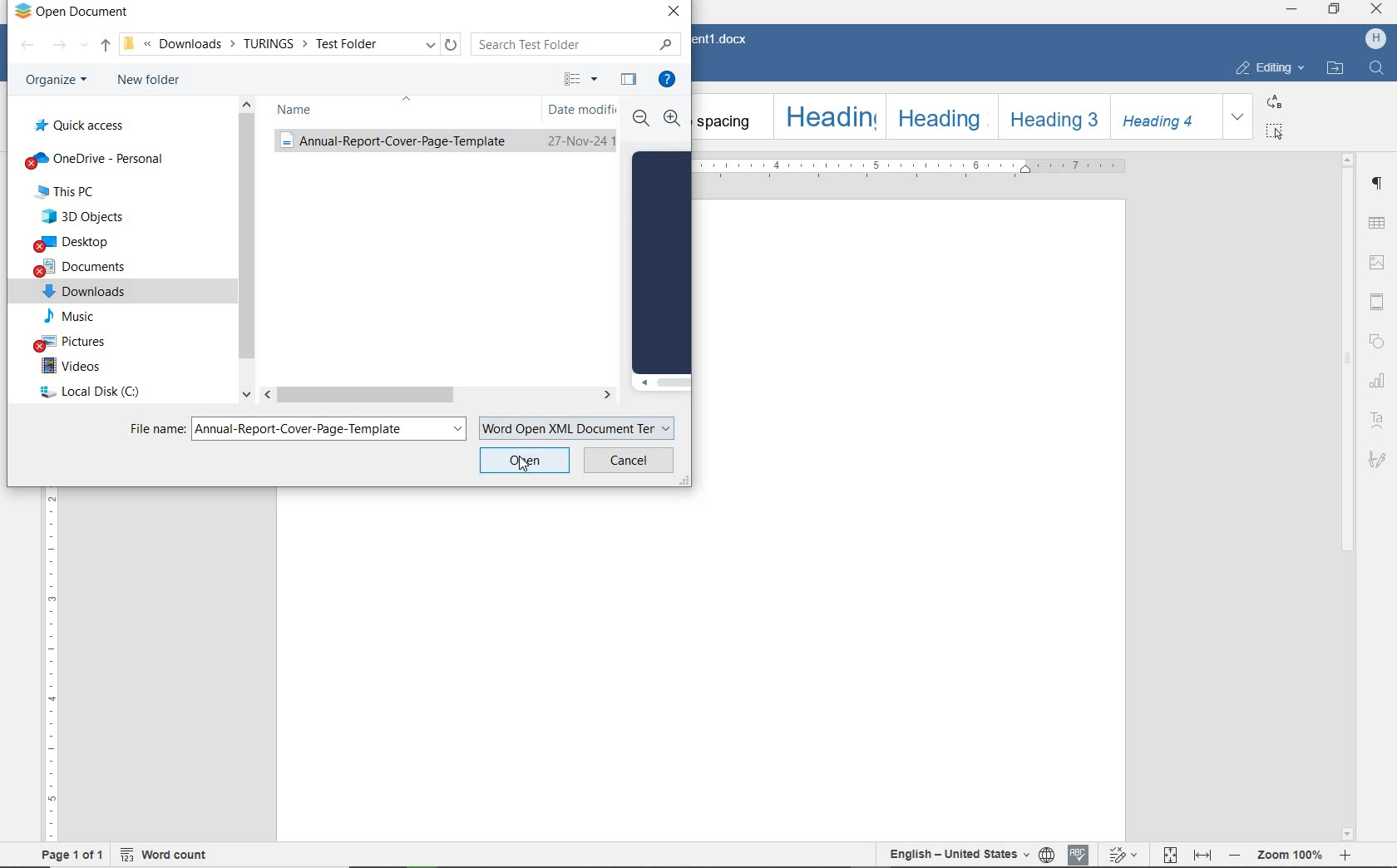 Image resolution: width=1397 pixels, height=868 pixels. Describe the element at coordinates (1269, 67) in the screenshot. I see `editing` at that location.